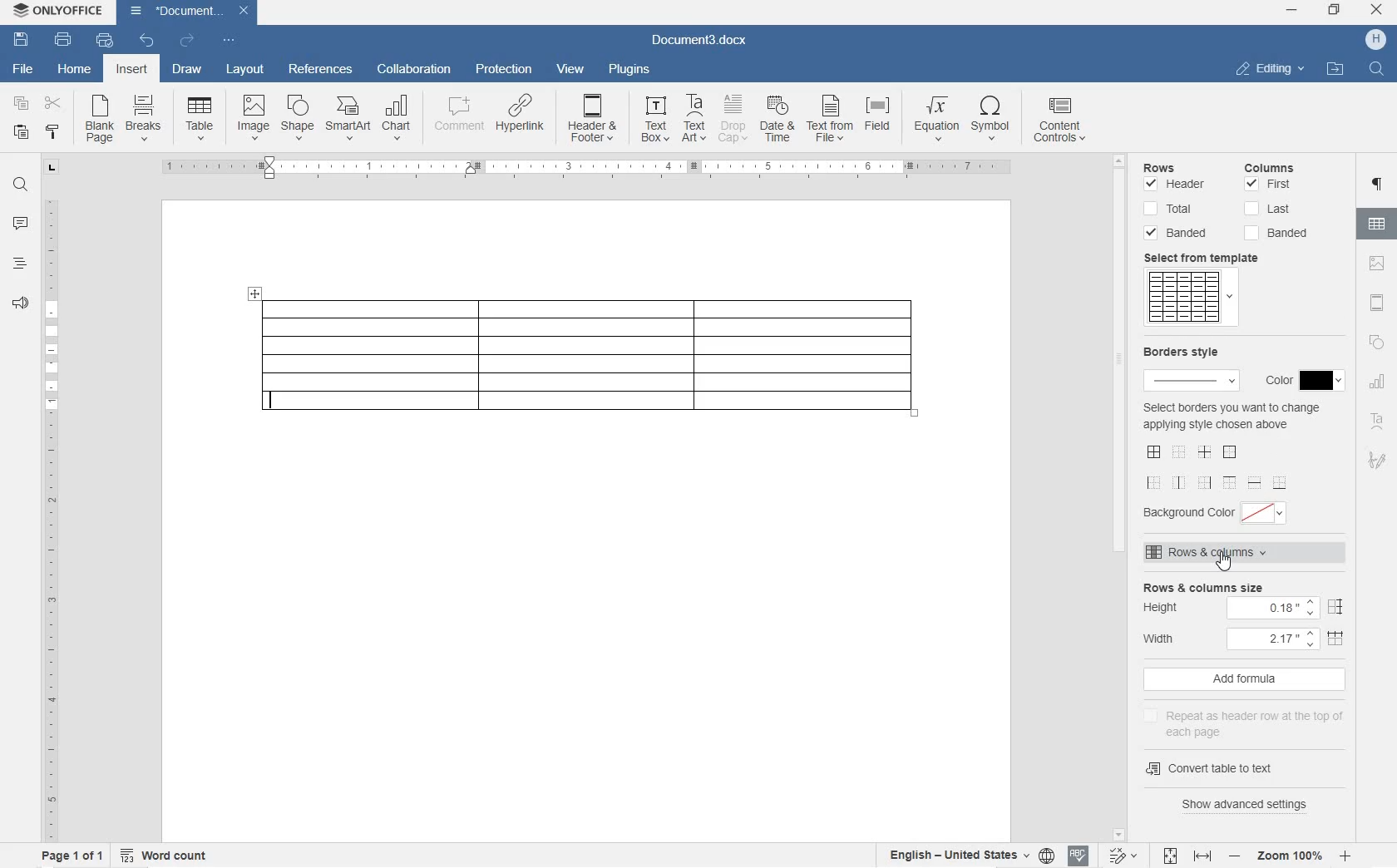 This screenshot has width=1397, height=868. What do you see at coordinates (1377, 40) in the screenshot?
I see `HP` at bounding box center [1377, 40].